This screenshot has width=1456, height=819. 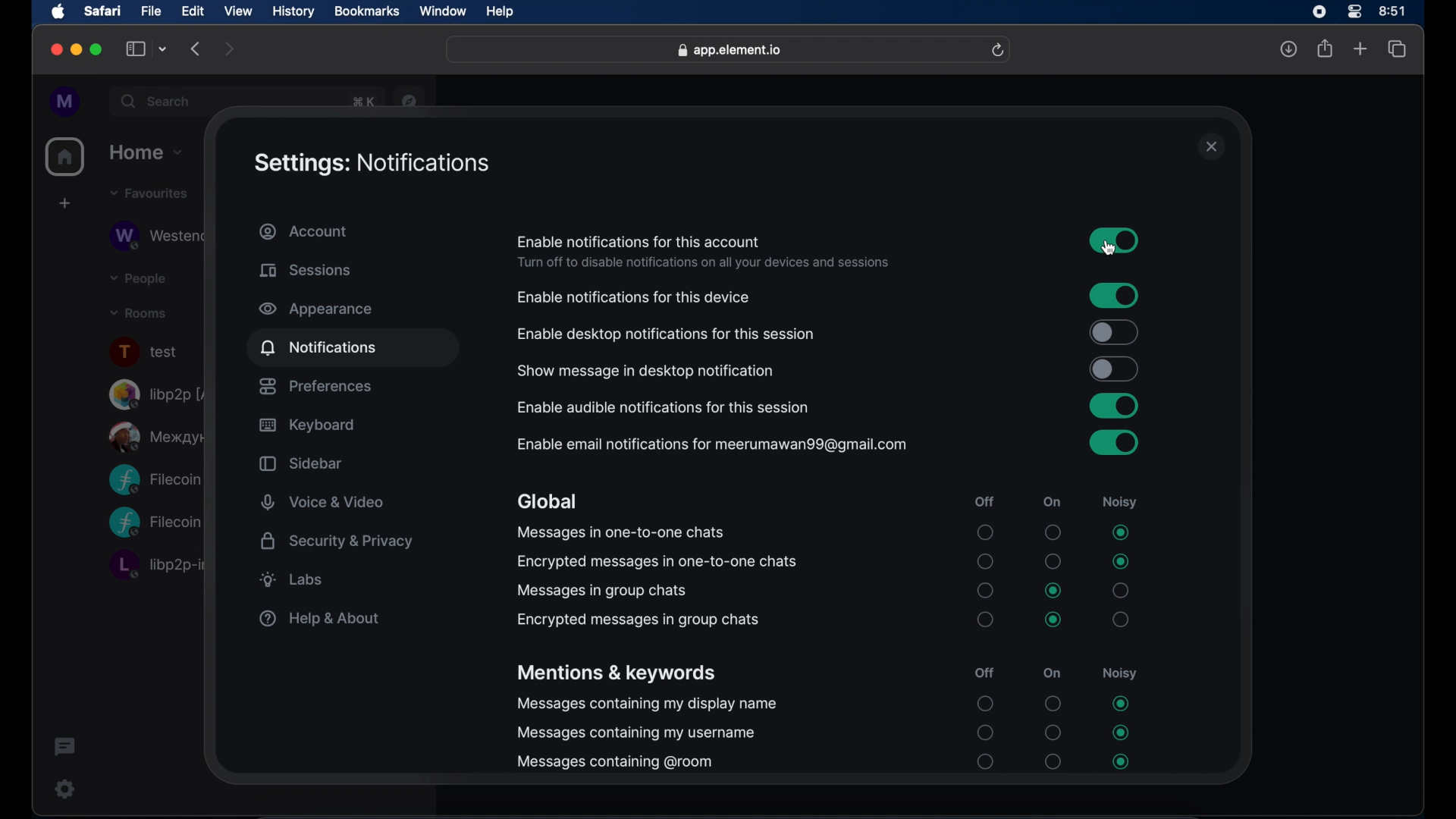 What do you see at coordinates (985, 620) in the screenshot?
I see `radio button` at bounding box center [985, 620].